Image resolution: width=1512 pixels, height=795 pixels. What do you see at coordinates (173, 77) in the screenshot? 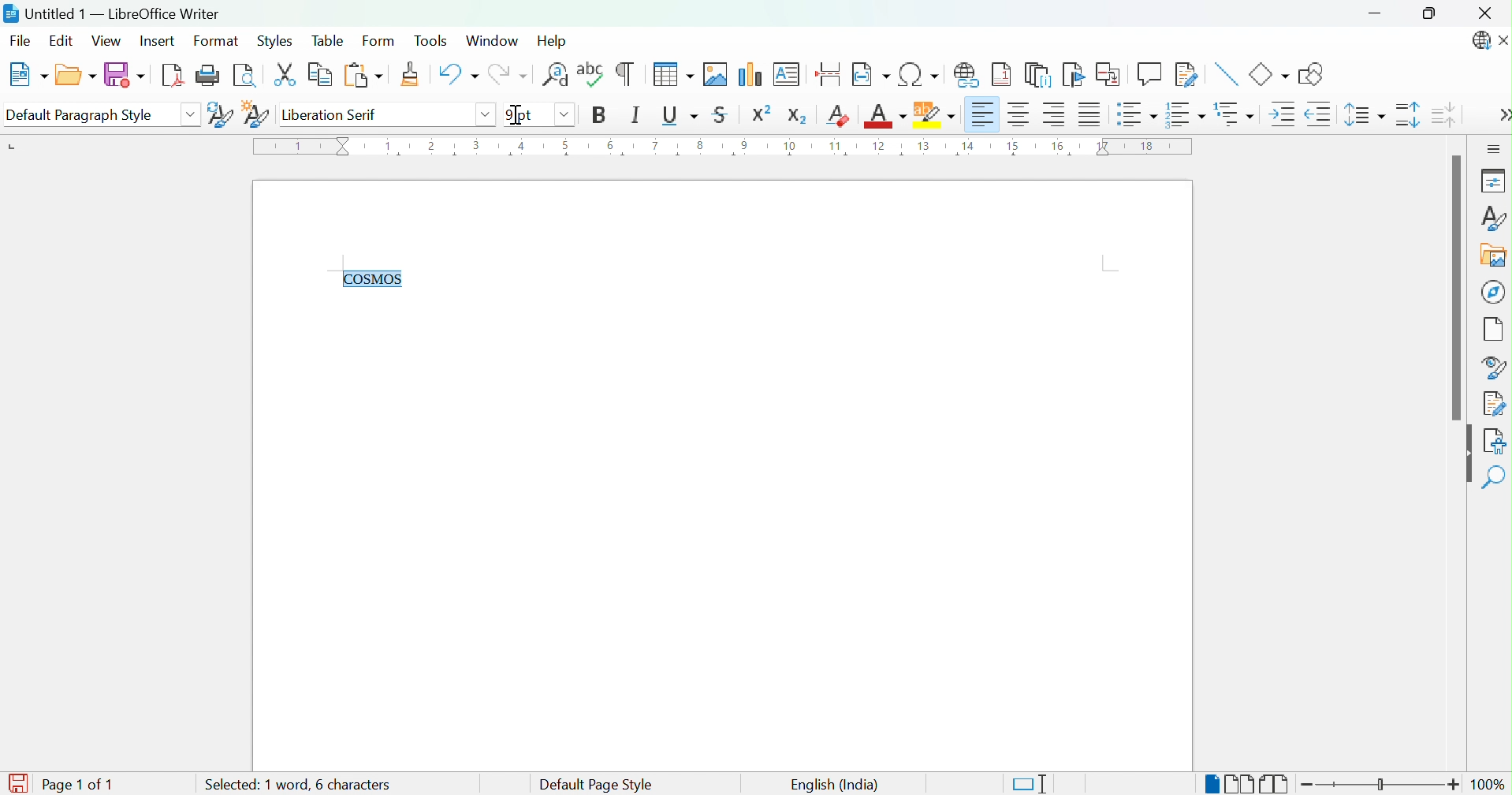
I see `Export as PDF` at bounding box center [173, 77].